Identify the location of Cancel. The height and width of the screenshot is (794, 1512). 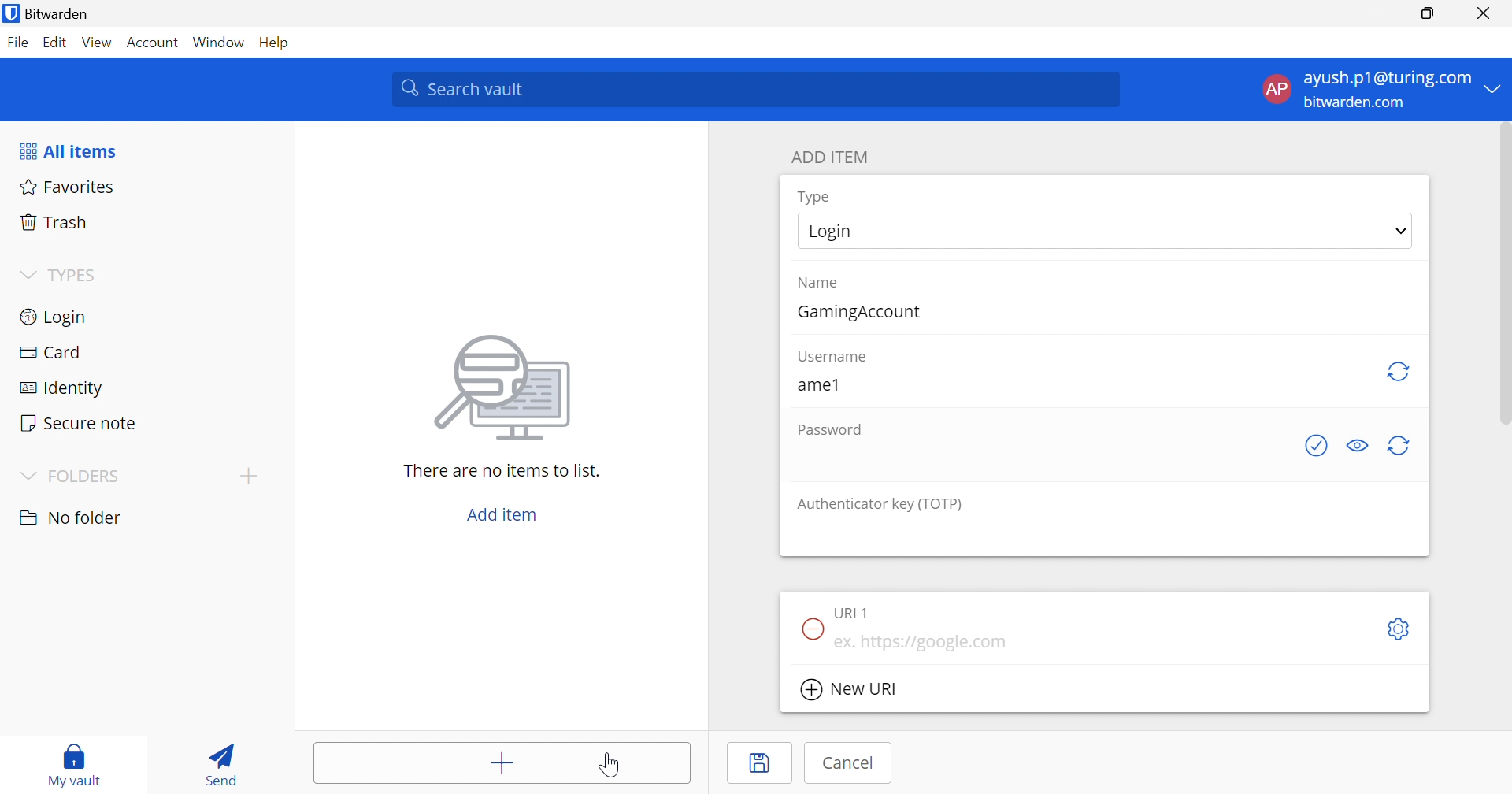
(845, 765).